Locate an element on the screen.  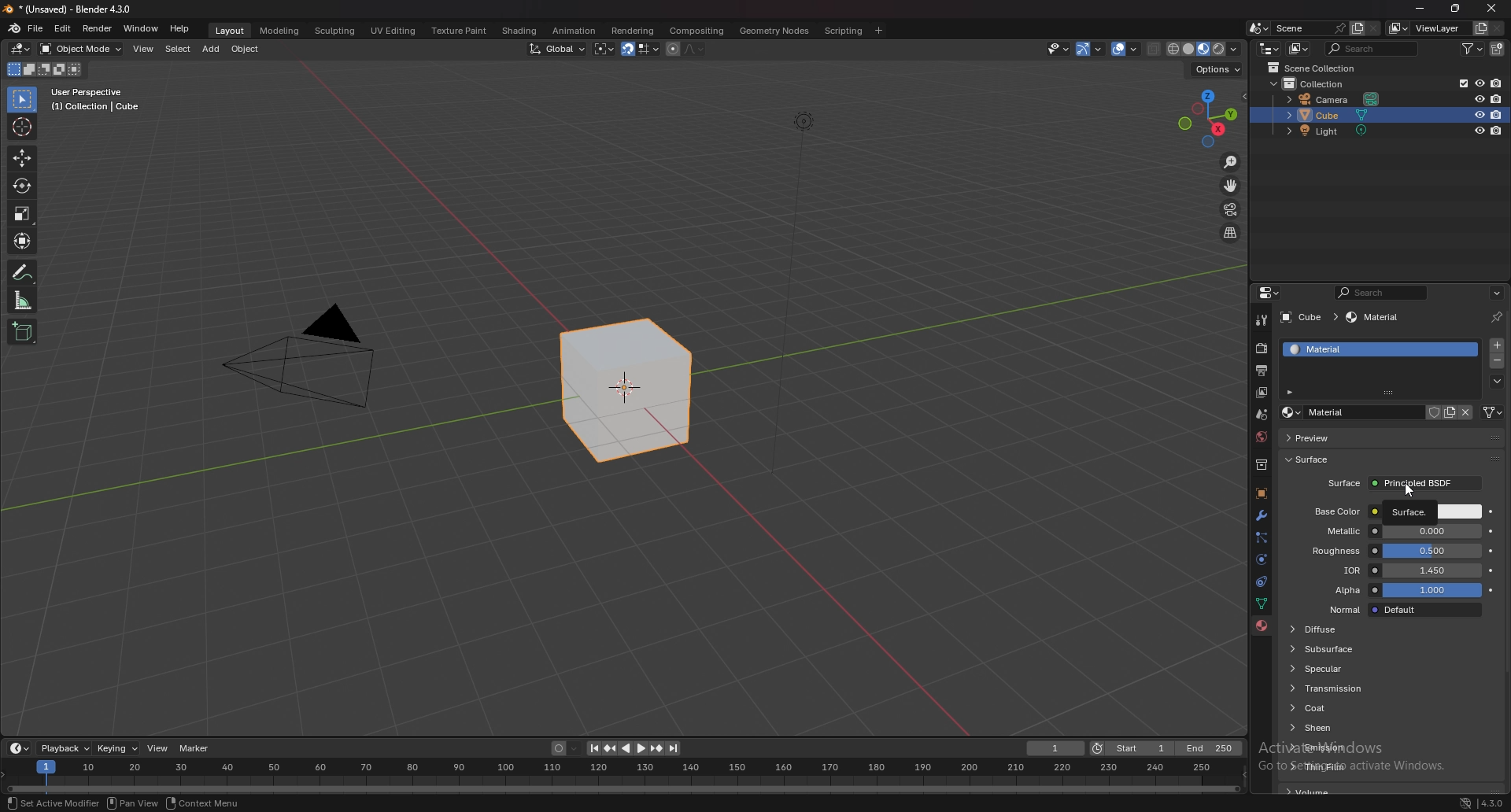
rotate view is located at coordinates (85, 802).